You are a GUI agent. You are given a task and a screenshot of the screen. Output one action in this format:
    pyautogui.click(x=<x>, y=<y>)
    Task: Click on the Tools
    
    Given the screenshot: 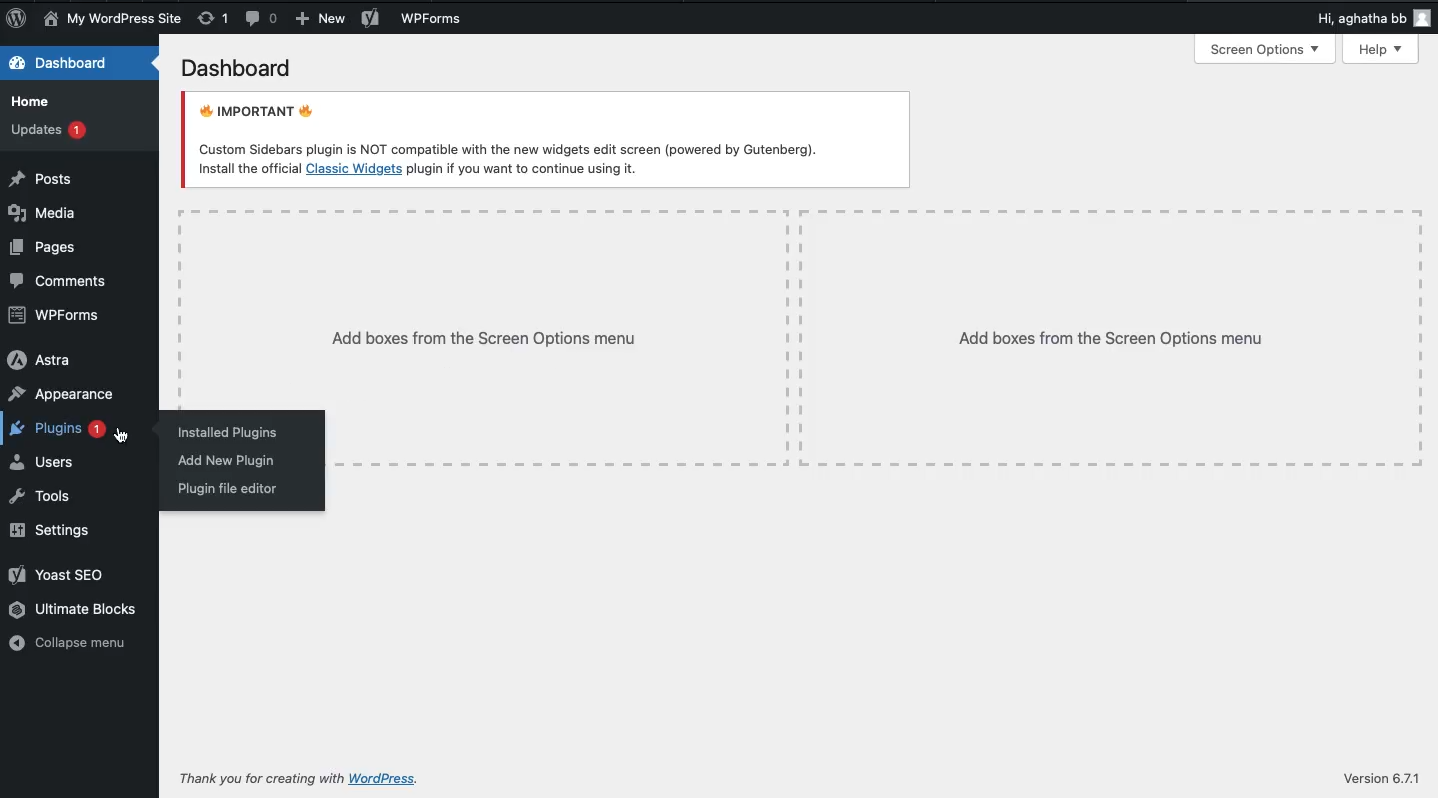 What is the action you would take?
    pyautogui.click(x=39, y=497)
    